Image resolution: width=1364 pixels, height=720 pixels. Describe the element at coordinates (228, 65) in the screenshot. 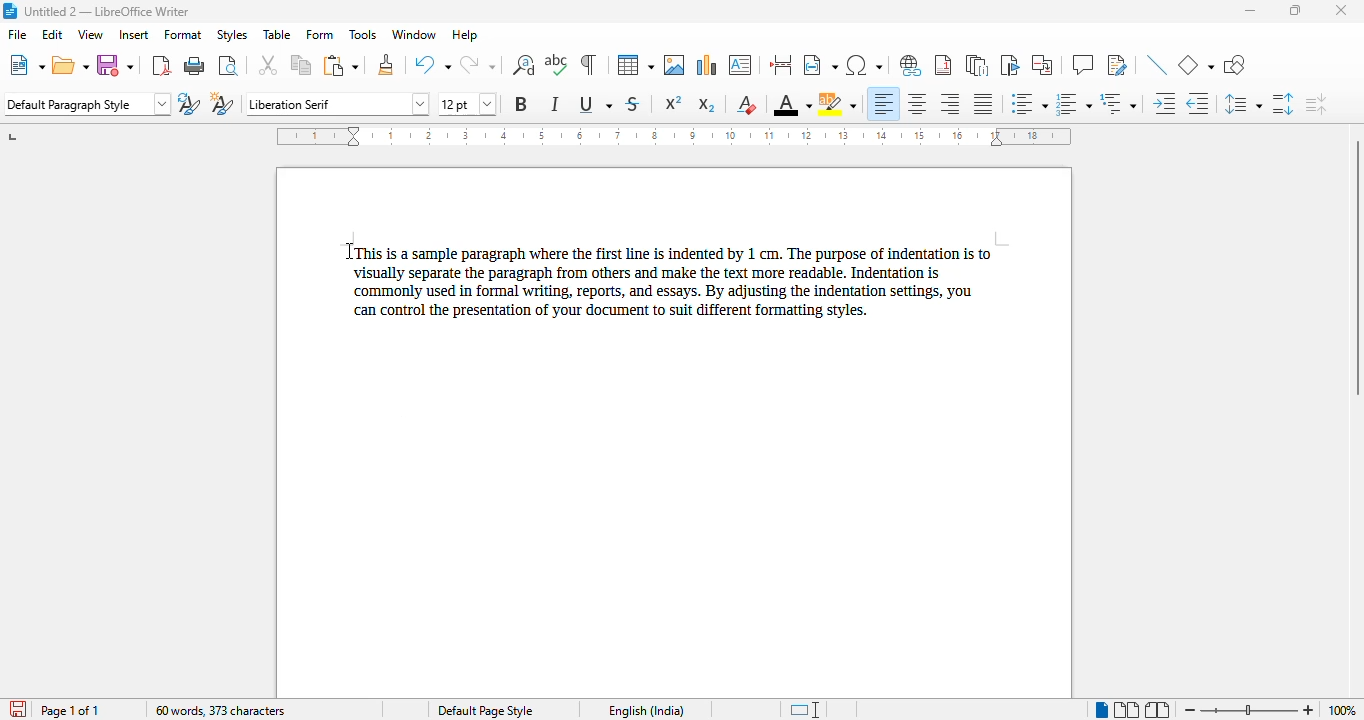

I see `toggle print preview` at that location.